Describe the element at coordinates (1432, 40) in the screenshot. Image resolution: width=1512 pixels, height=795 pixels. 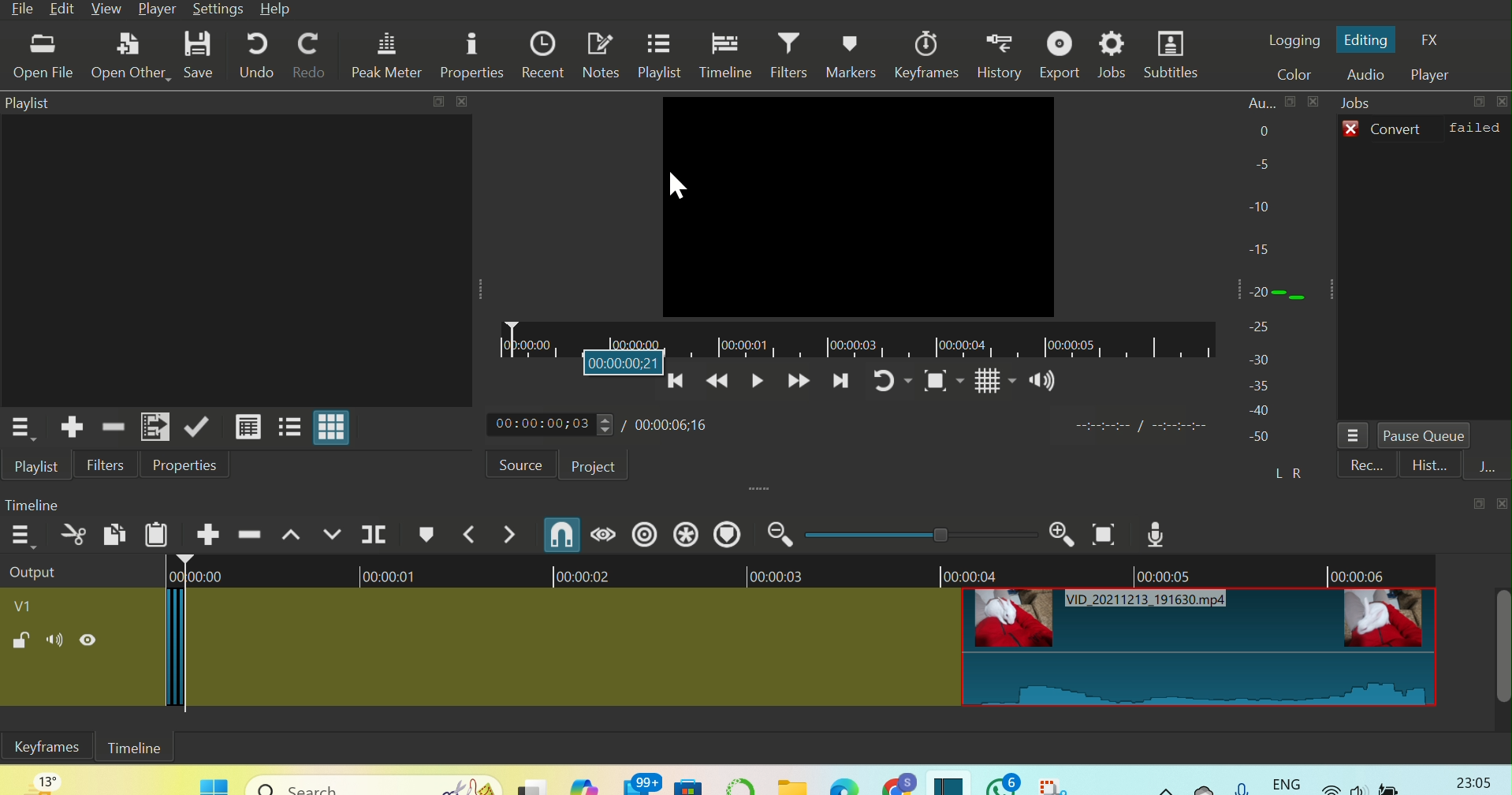
I see `FX` at that location.